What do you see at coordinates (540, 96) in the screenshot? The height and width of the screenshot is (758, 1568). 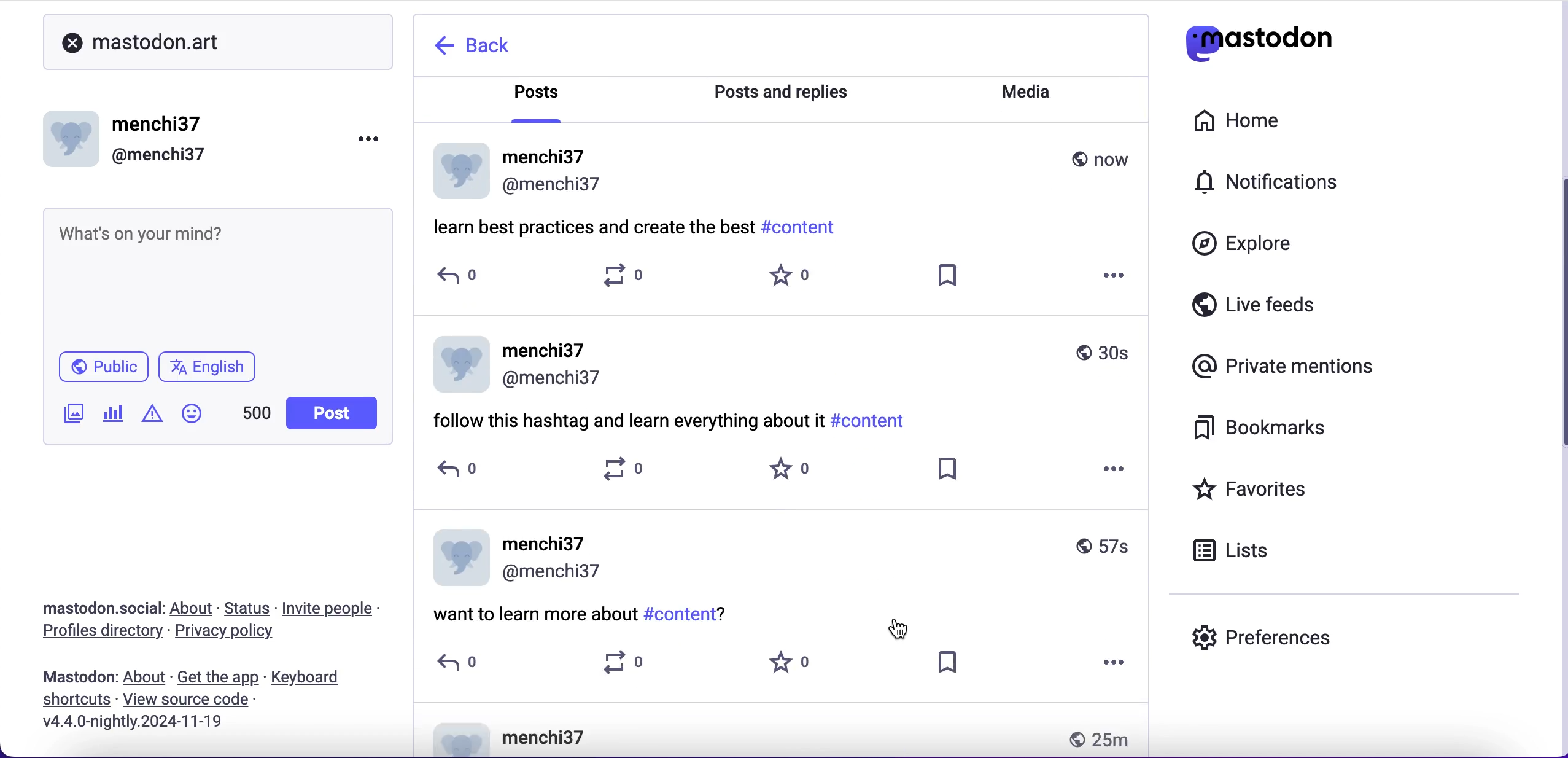 I see `posts` at bounding box center [540, 96].